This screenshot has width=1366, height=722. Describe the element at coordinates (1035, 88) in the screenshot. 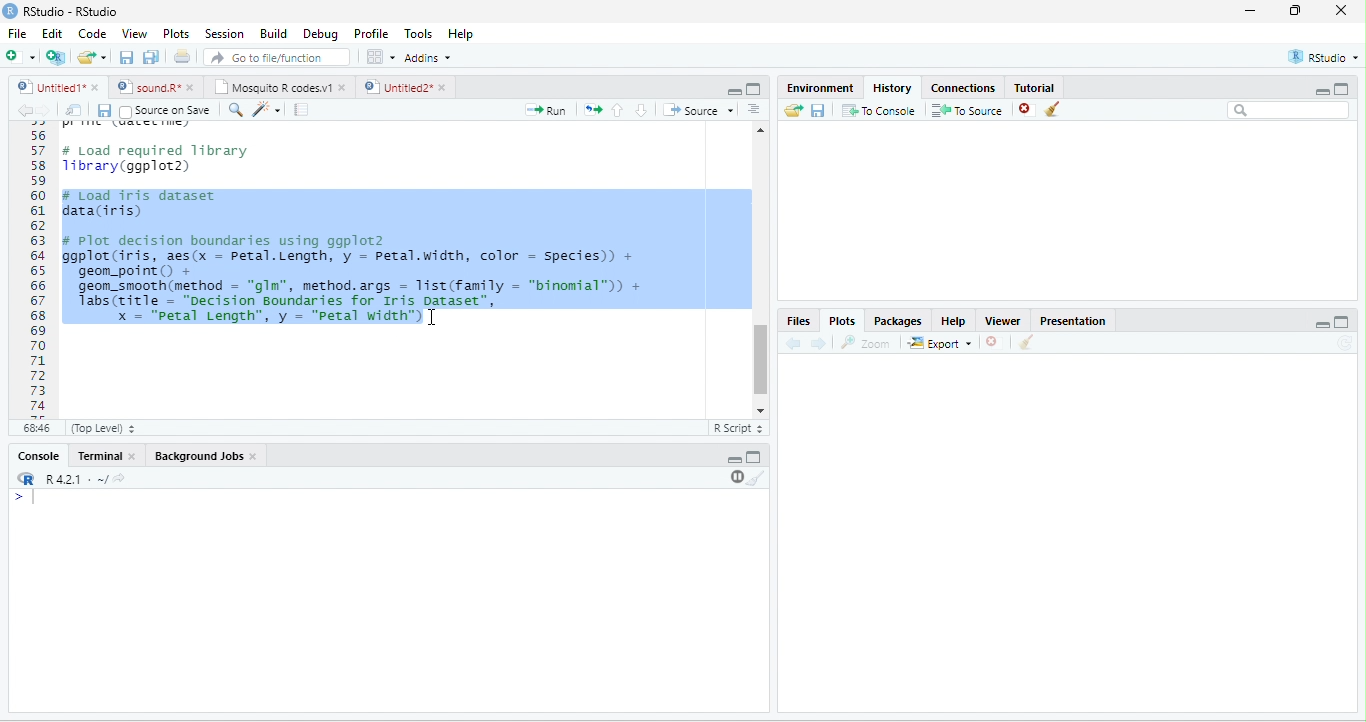

I see `Tutorial` at that location.